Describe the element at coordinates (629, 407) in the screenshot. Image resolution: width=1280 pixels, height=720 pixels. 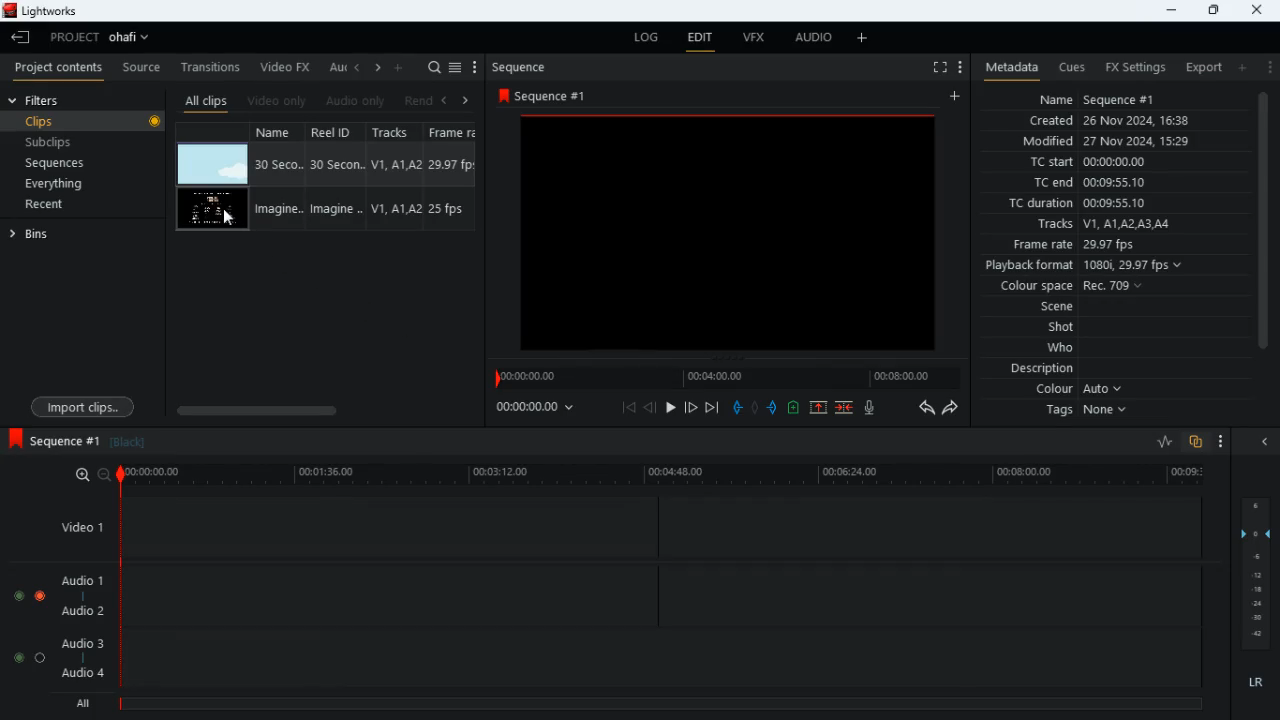
I see `beggining` at that location.